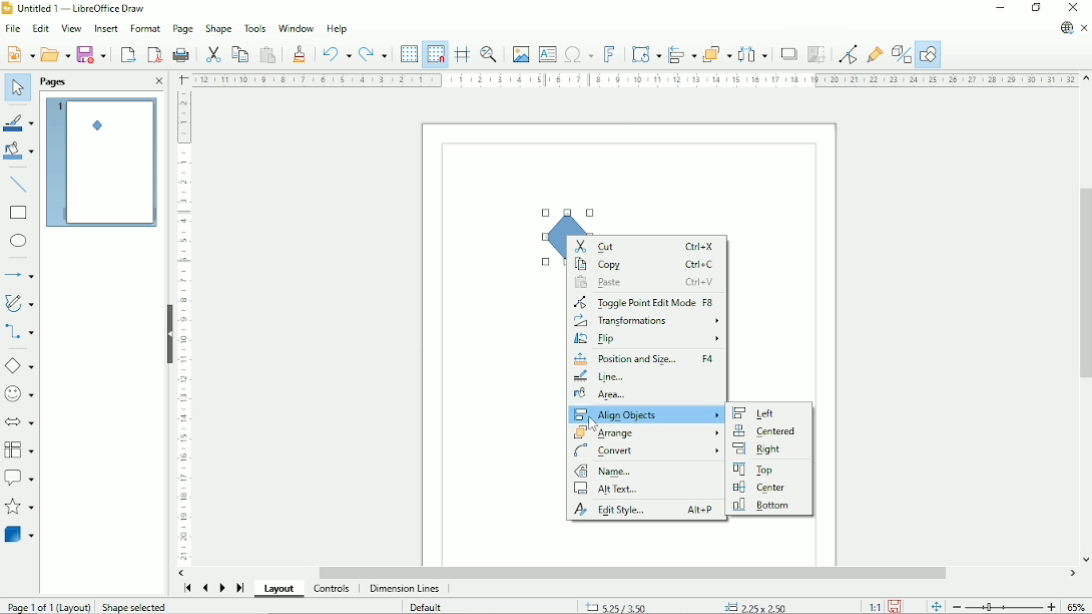 Image resolution: width=1092 pixels, height=614 pixels. Describe the element at coordinates (762, 487) in the screenshot. I see `Center` at that location.